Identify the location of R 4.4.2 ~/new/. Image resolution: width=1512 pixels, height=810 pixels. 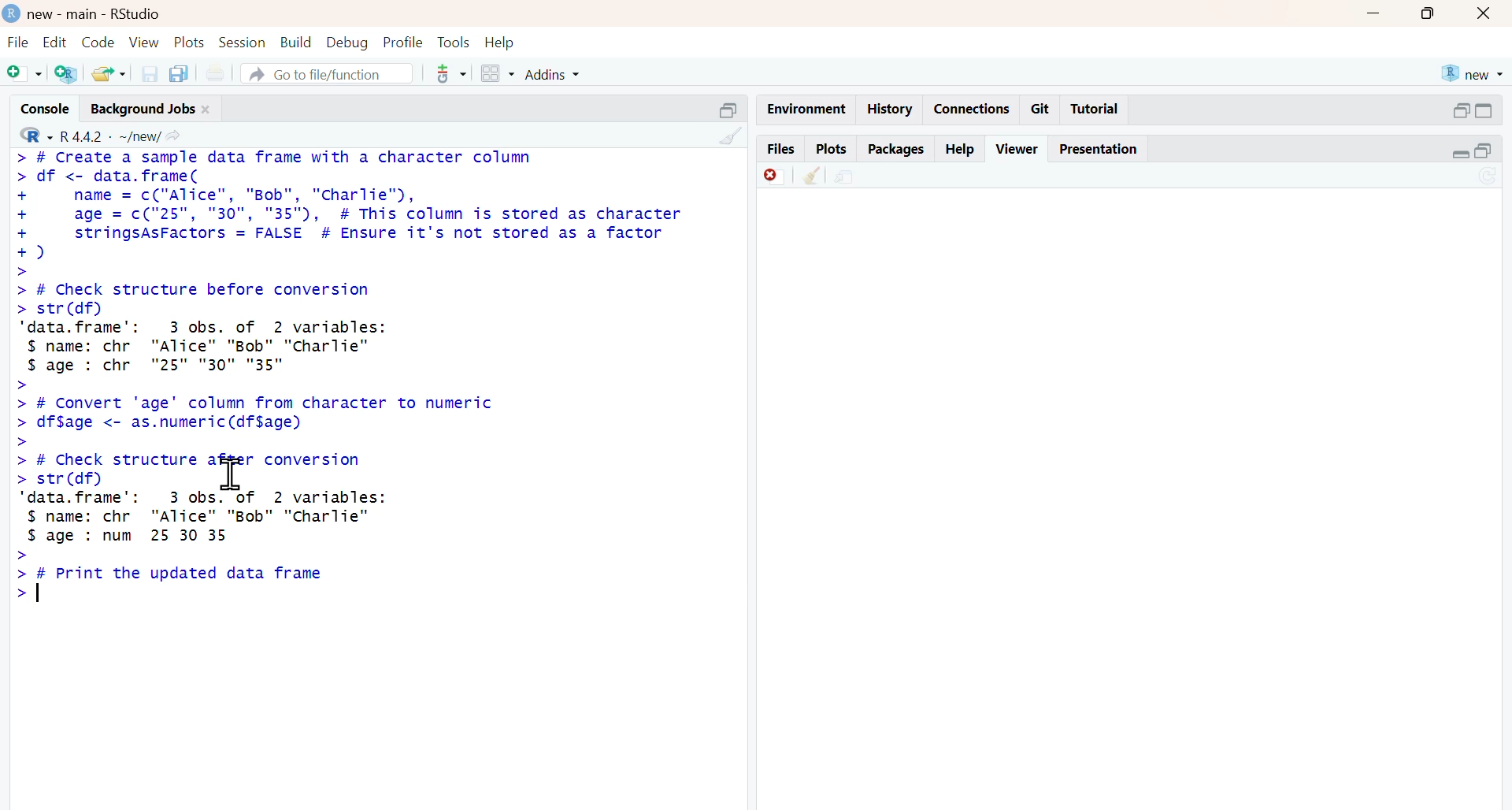
(111, 137).